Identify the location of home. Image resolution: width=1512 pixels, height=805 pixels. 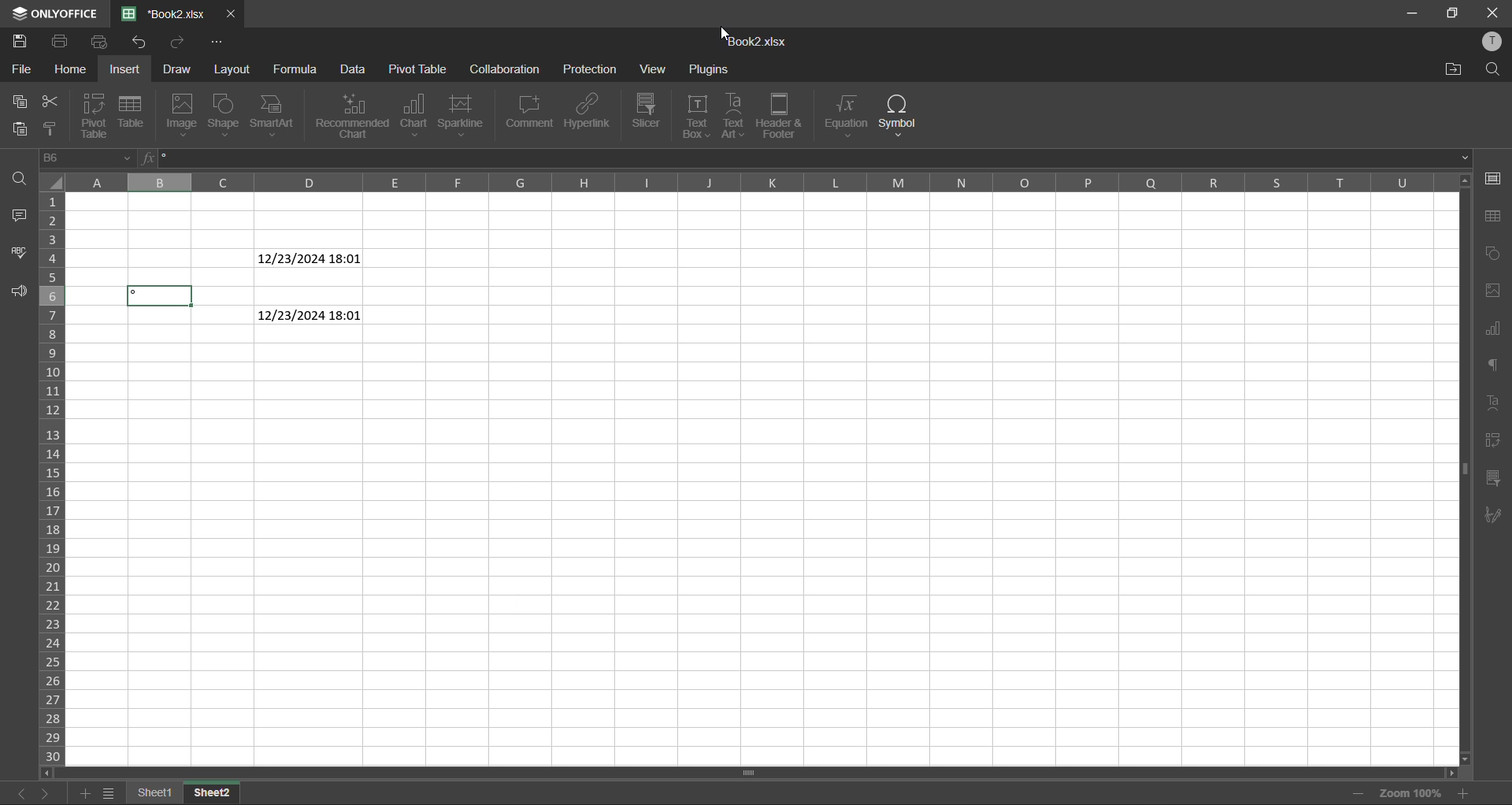
(75, 70).